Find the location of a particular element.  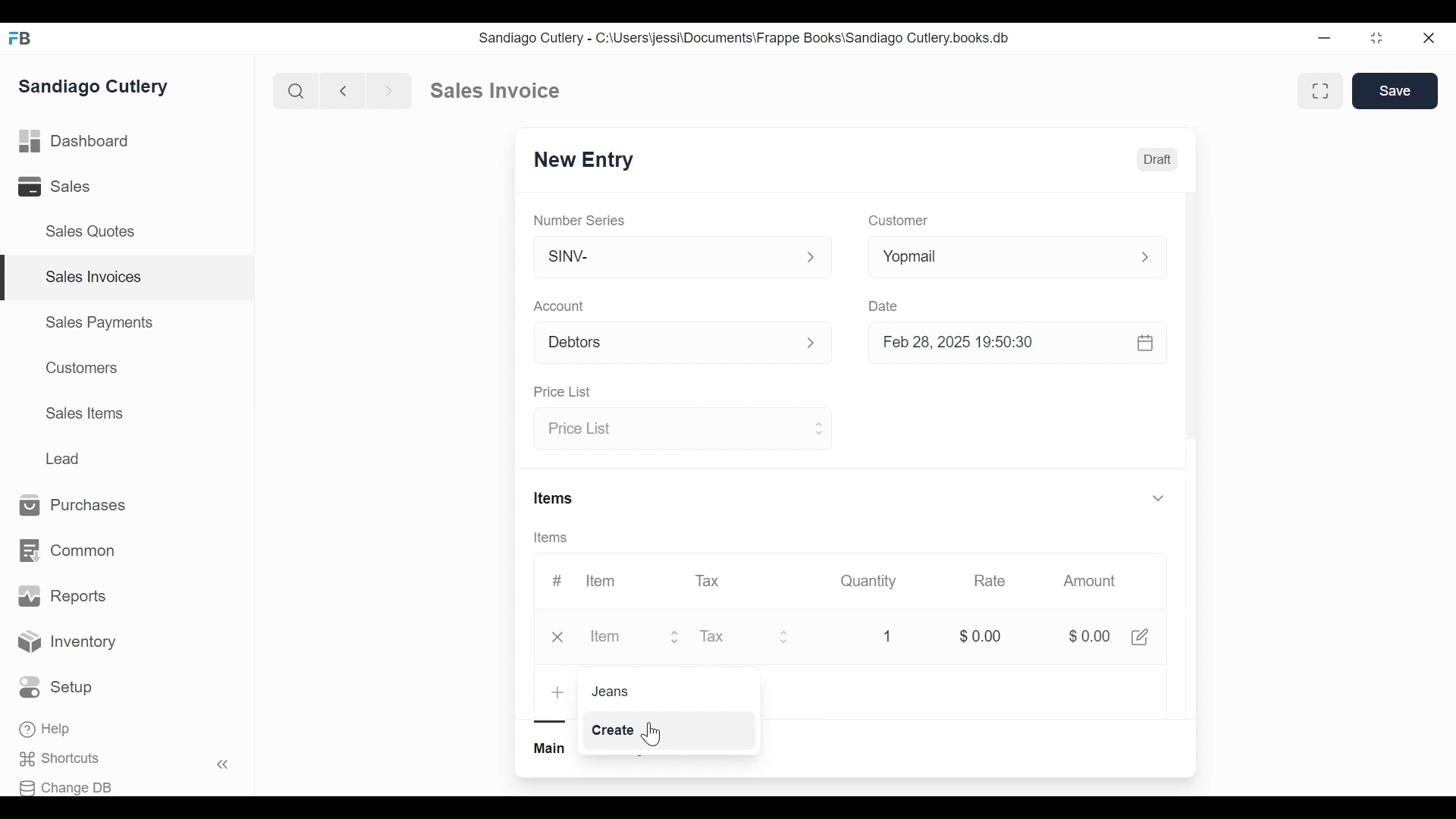

Purchases is located at coordinates (80, 506).